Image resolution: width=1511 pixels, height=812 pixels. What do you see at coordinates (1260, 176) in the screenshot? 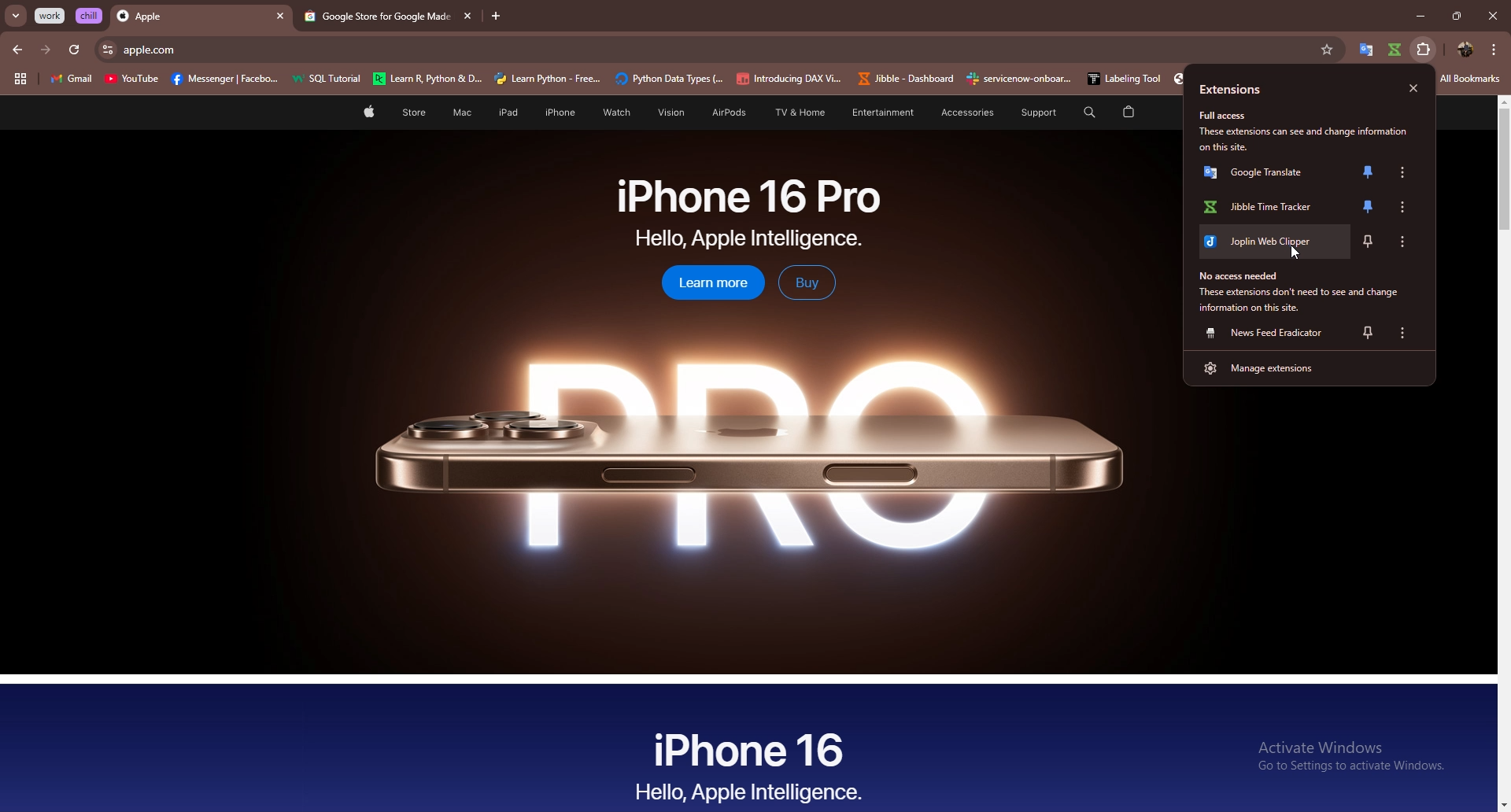
I see `Google Translate:` at bounding box center [1260, 176].